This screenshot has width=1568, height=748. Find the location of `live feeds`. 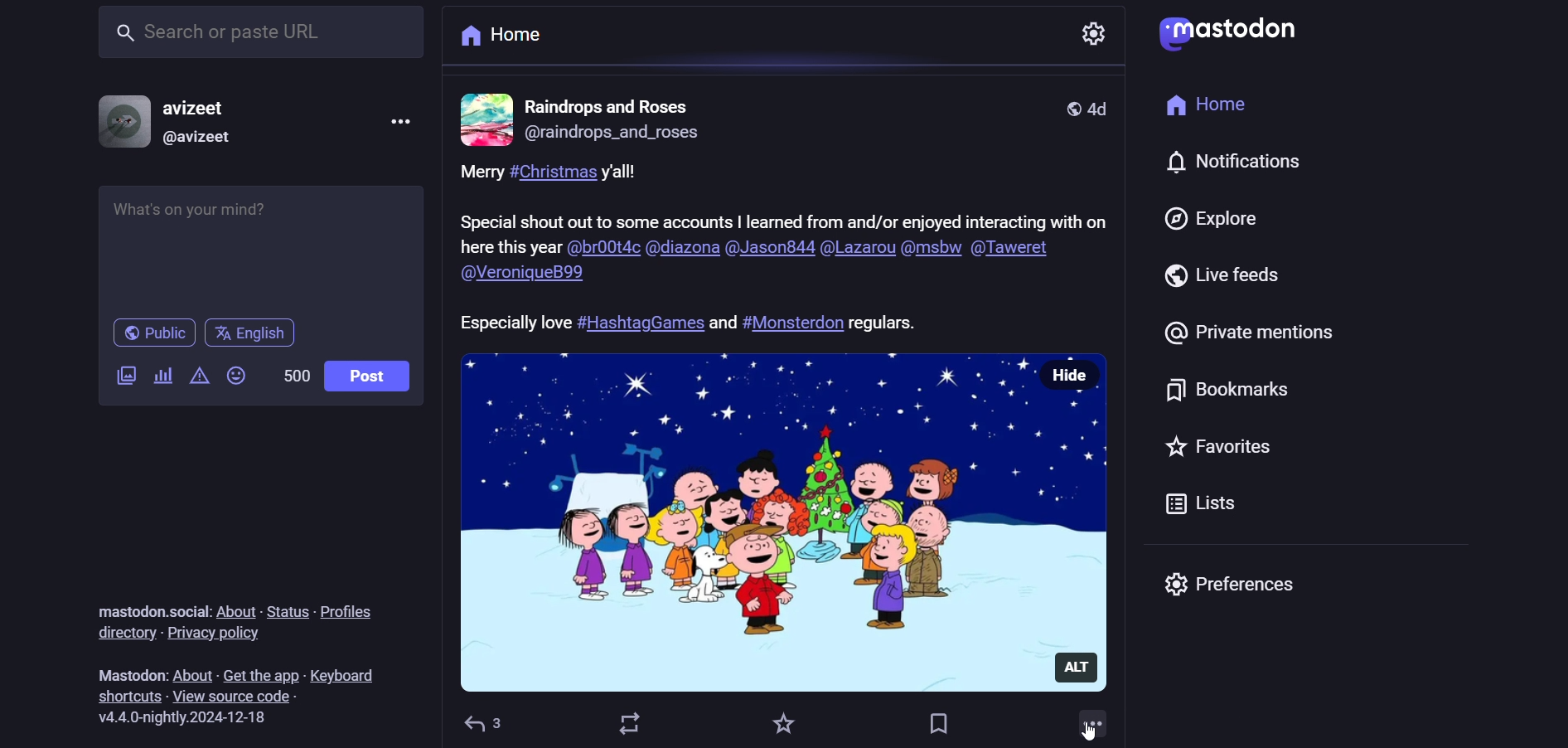

live feeds is located at coordinates (1221, 275).